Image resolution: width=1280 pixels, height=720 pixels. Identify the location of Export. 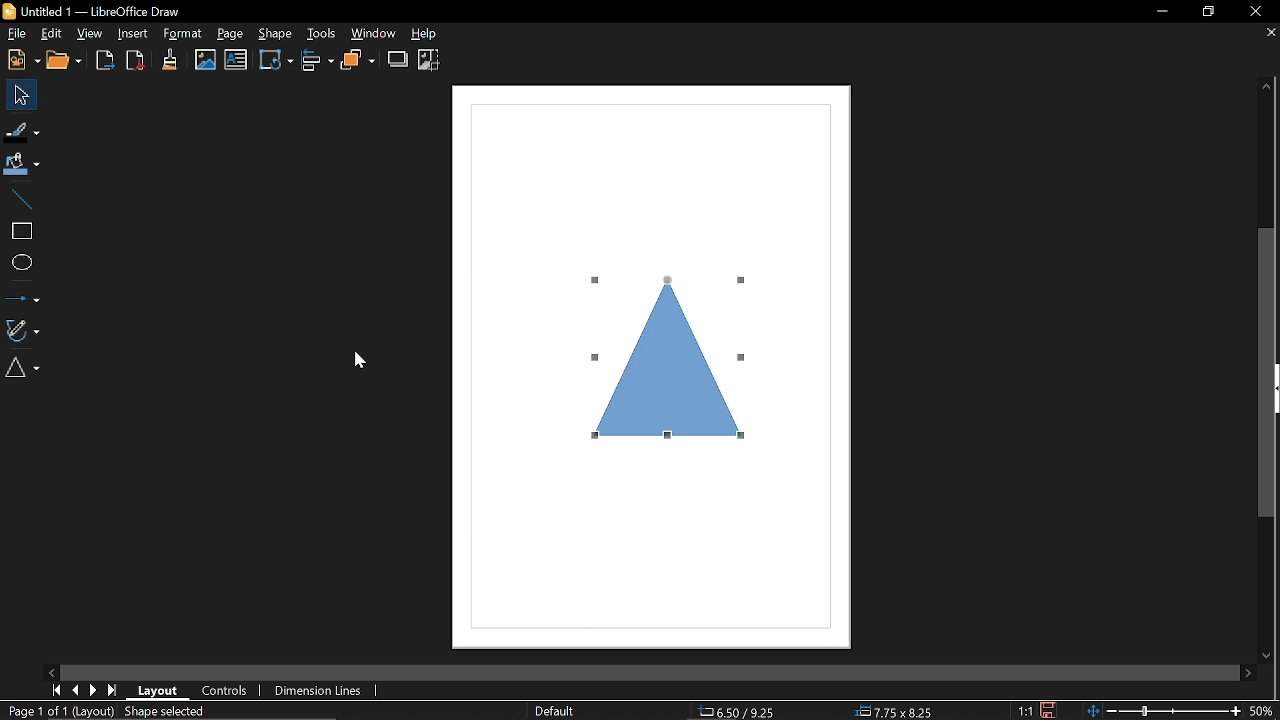
(106, 62).